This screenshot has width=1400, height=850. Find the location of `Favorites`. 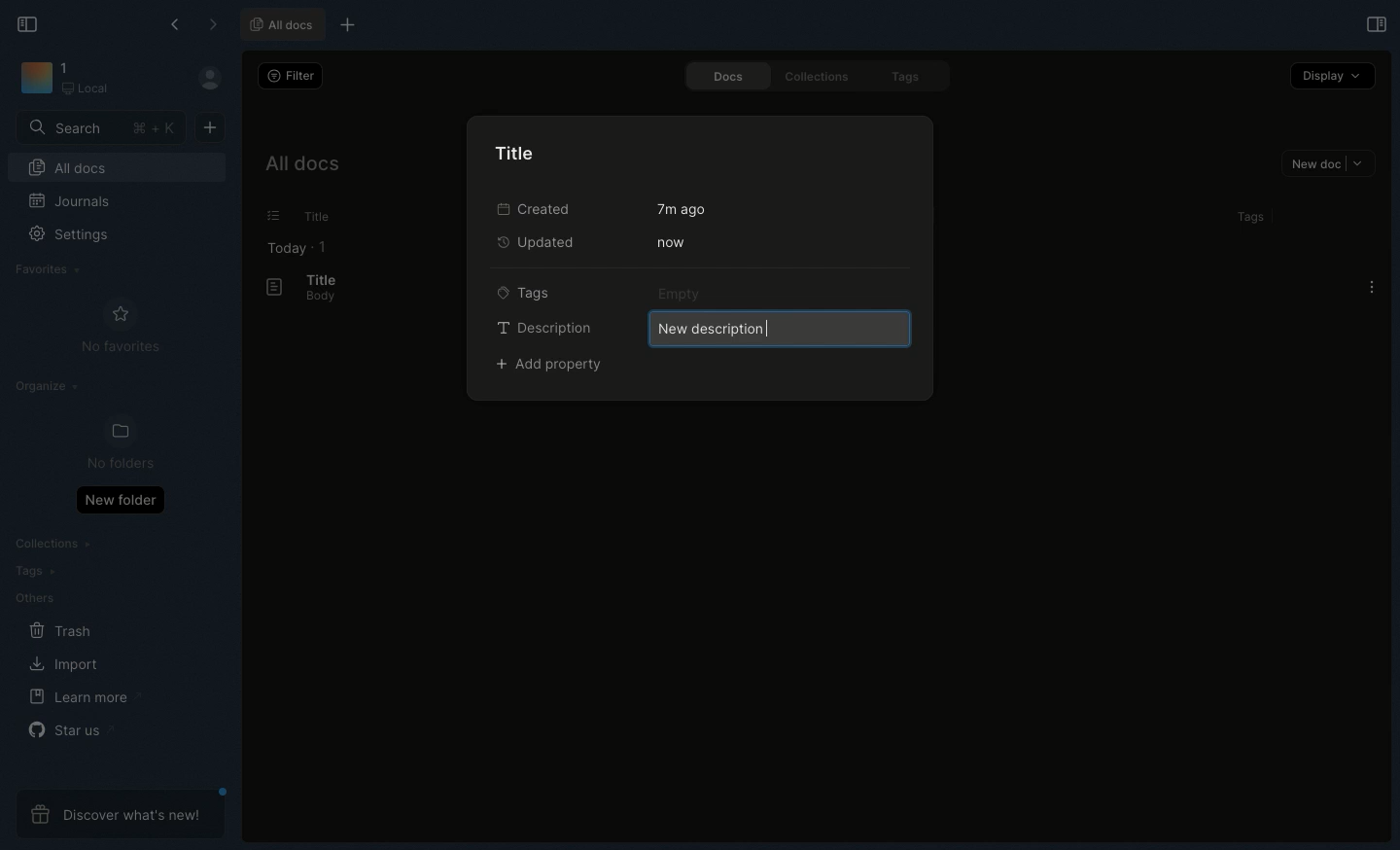

Favorites is located at coordinates (49, 269).